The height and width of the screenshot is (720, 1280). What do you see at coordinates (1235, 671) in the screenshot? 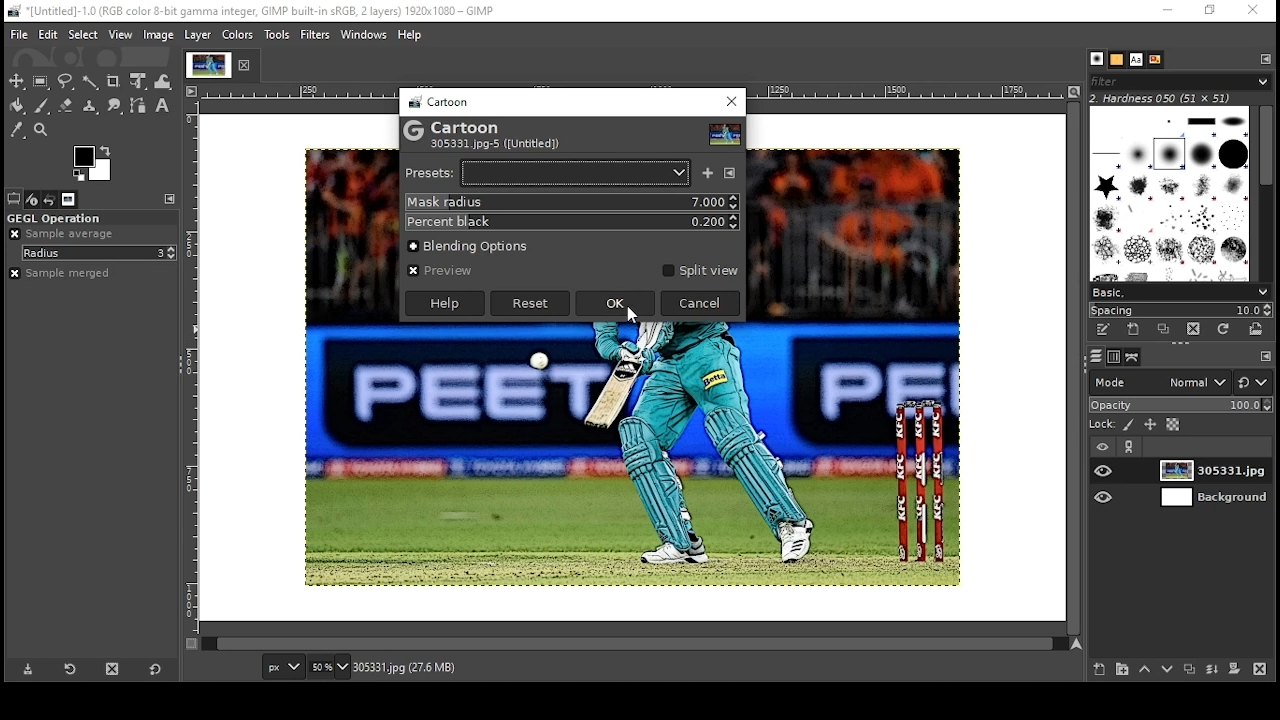
I see `add mask` at bounding box center [1235, 671].